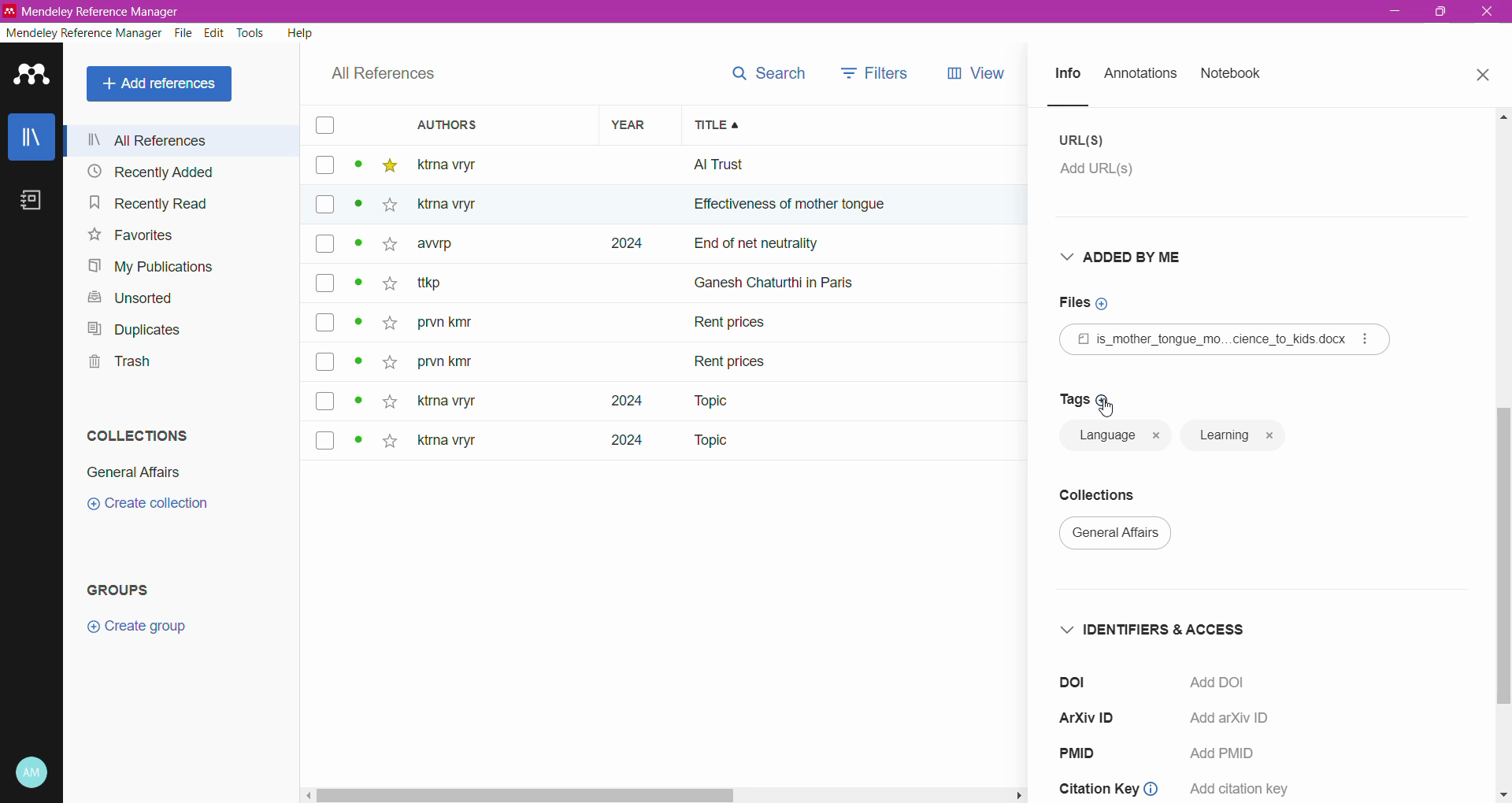  What do you see at coordinates (330, 401) in the screenshot?
I see `box` at bounding box center [330, 401].